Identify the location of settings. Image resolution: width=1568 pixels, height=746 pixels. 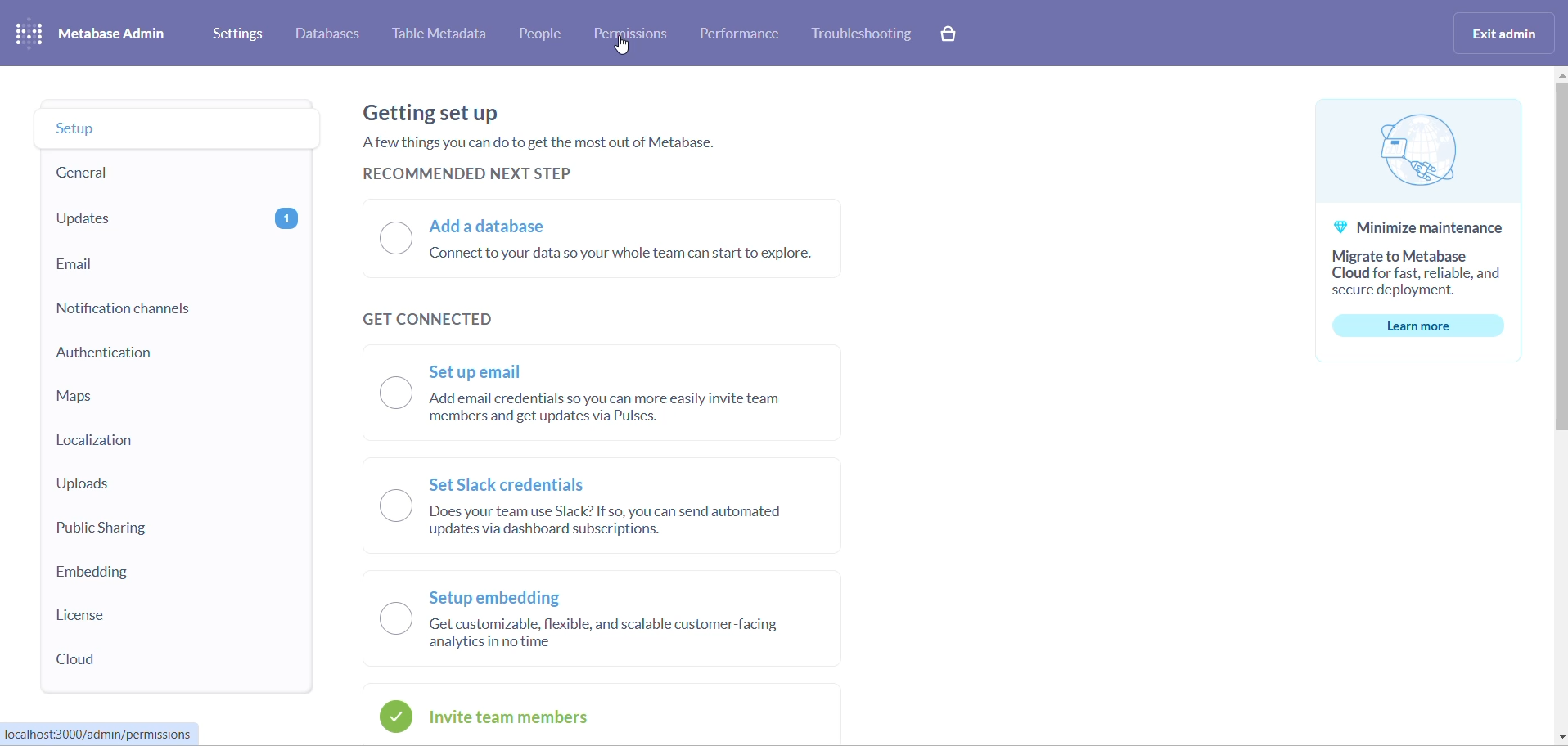
(244, 37).